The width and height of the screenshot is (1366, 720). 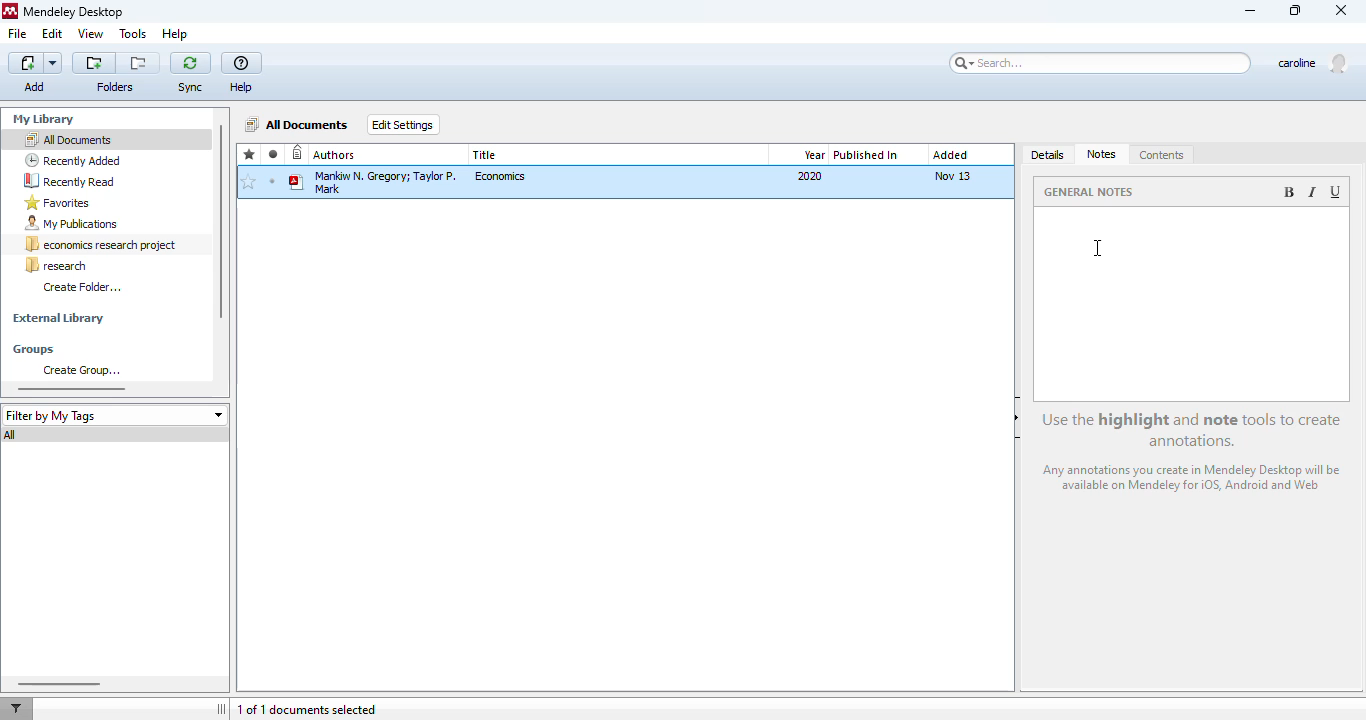 What do you see at coordinates (298, 124) in the screenshot?
I see `all documents` at bounding box center [298, 124].